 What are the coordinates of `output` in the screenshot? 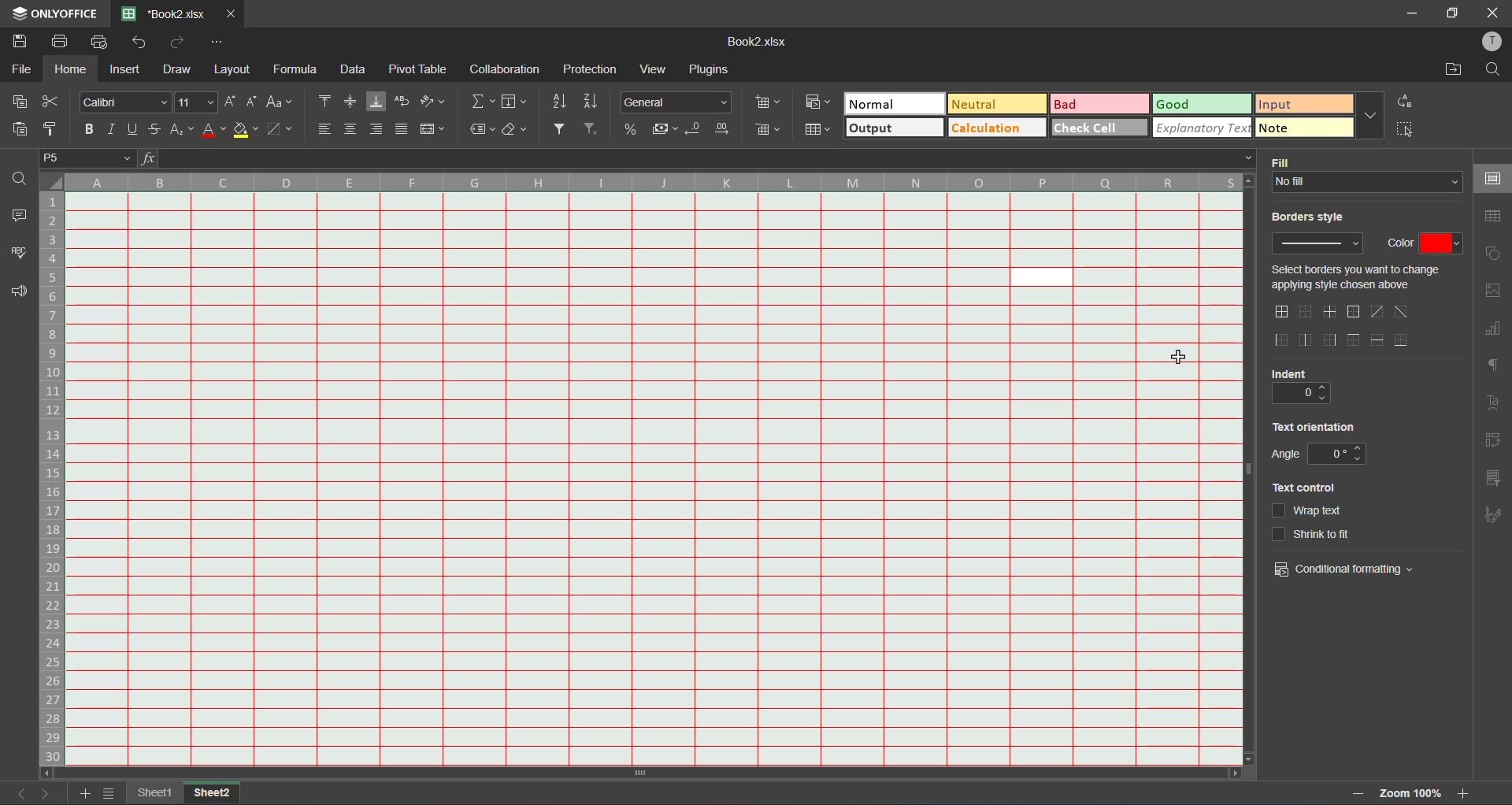 It's located at (892, 129).